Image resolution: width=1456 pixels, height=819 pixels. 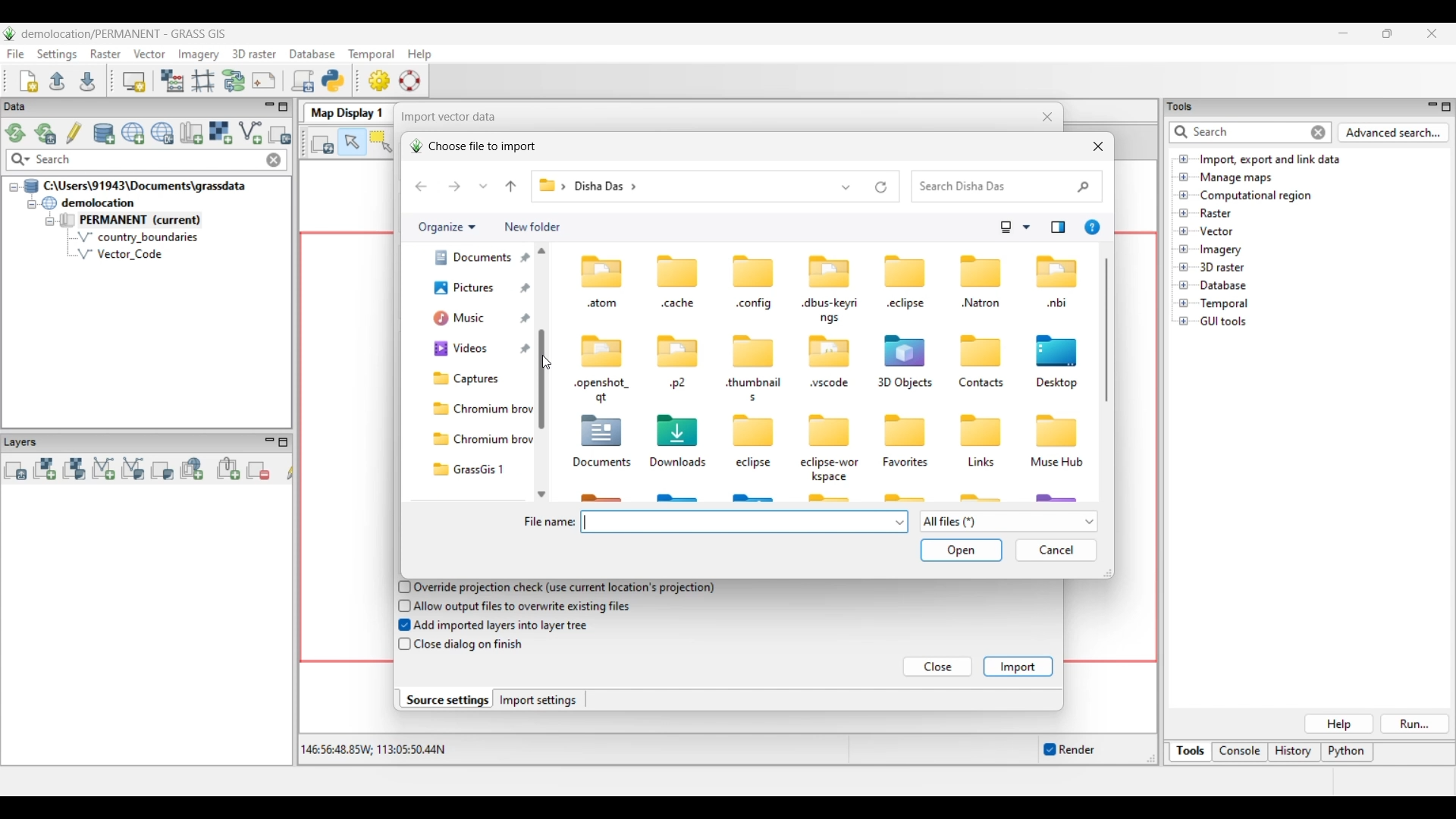 What do you see at coordinates (220, 133) in the screenshot?
I see `Import raster data` at bounding box center [220, 133].